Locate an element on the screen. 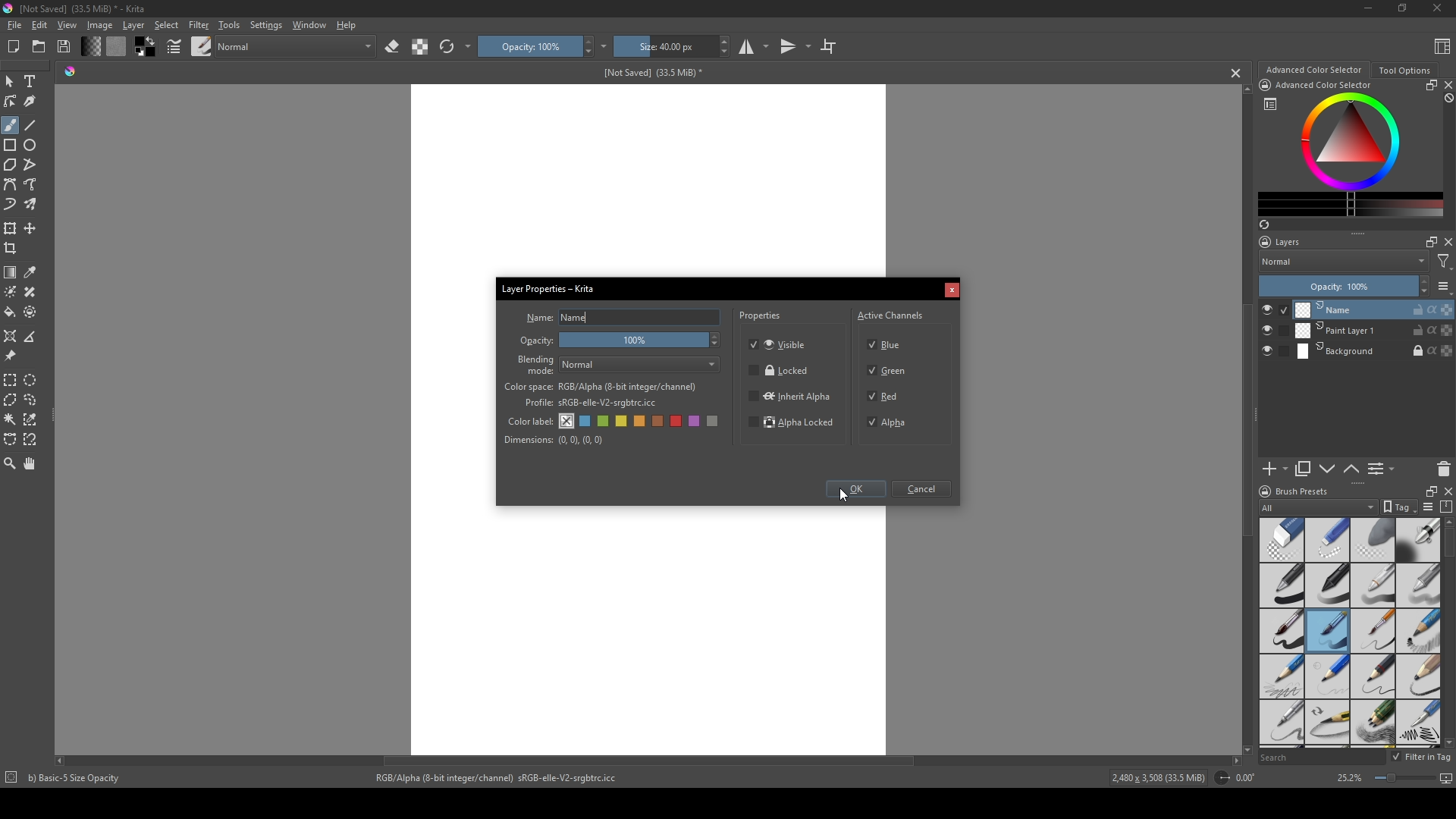  black pen is located at coordinates (1328, 585).